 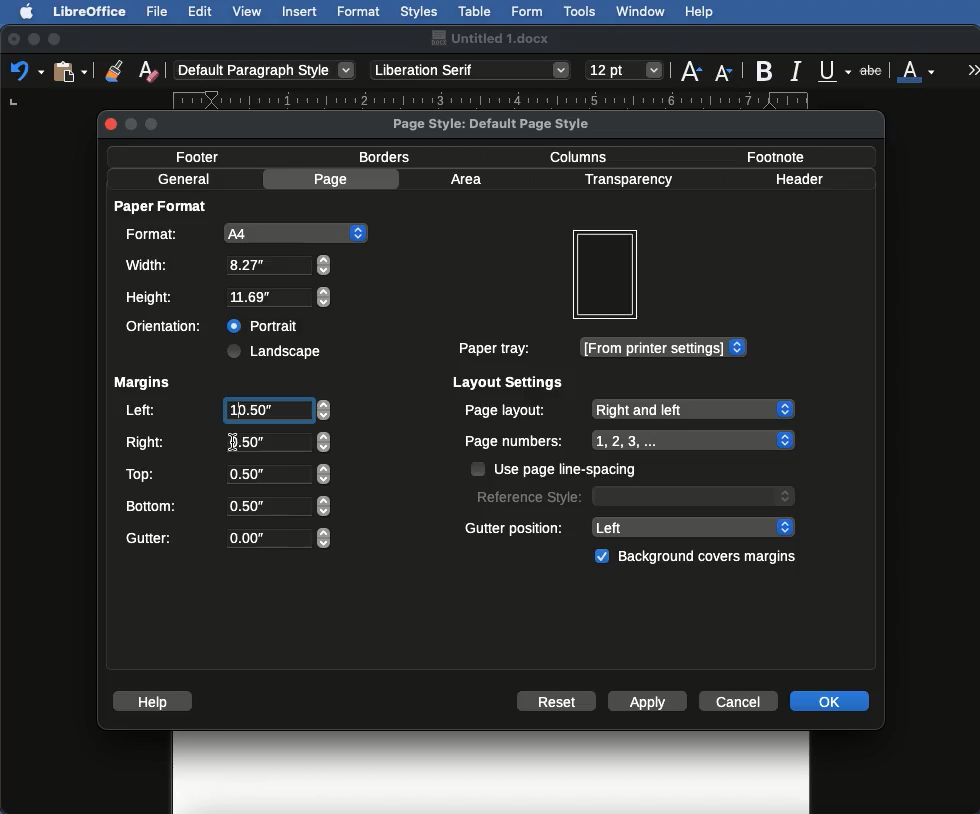 What do you see at coordinates (111, 124) in the screenshot?
I see `close` at bounding box center [111, 124].